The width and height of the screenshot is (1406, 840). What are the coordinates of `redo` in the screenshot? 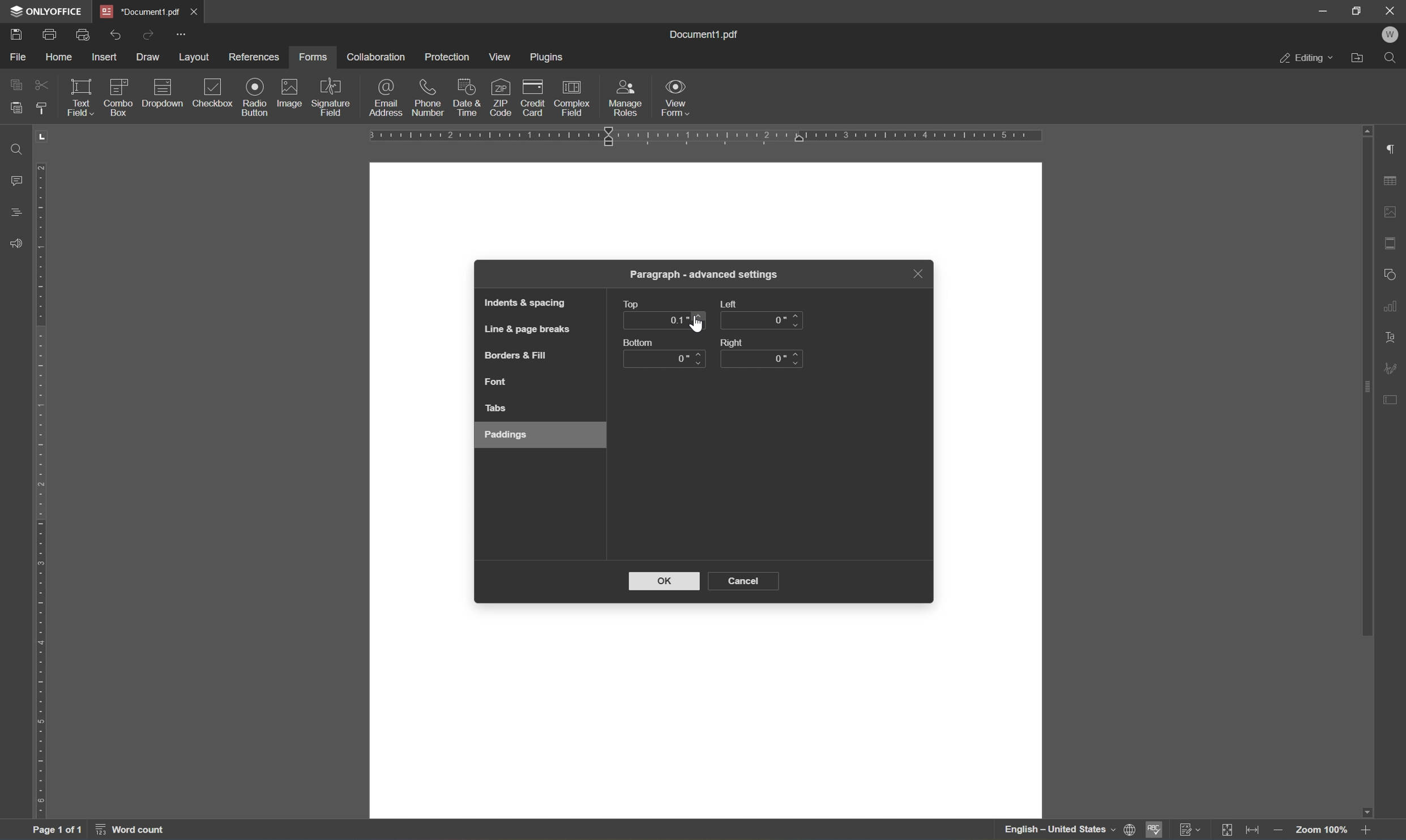 It's located at (147, 34).